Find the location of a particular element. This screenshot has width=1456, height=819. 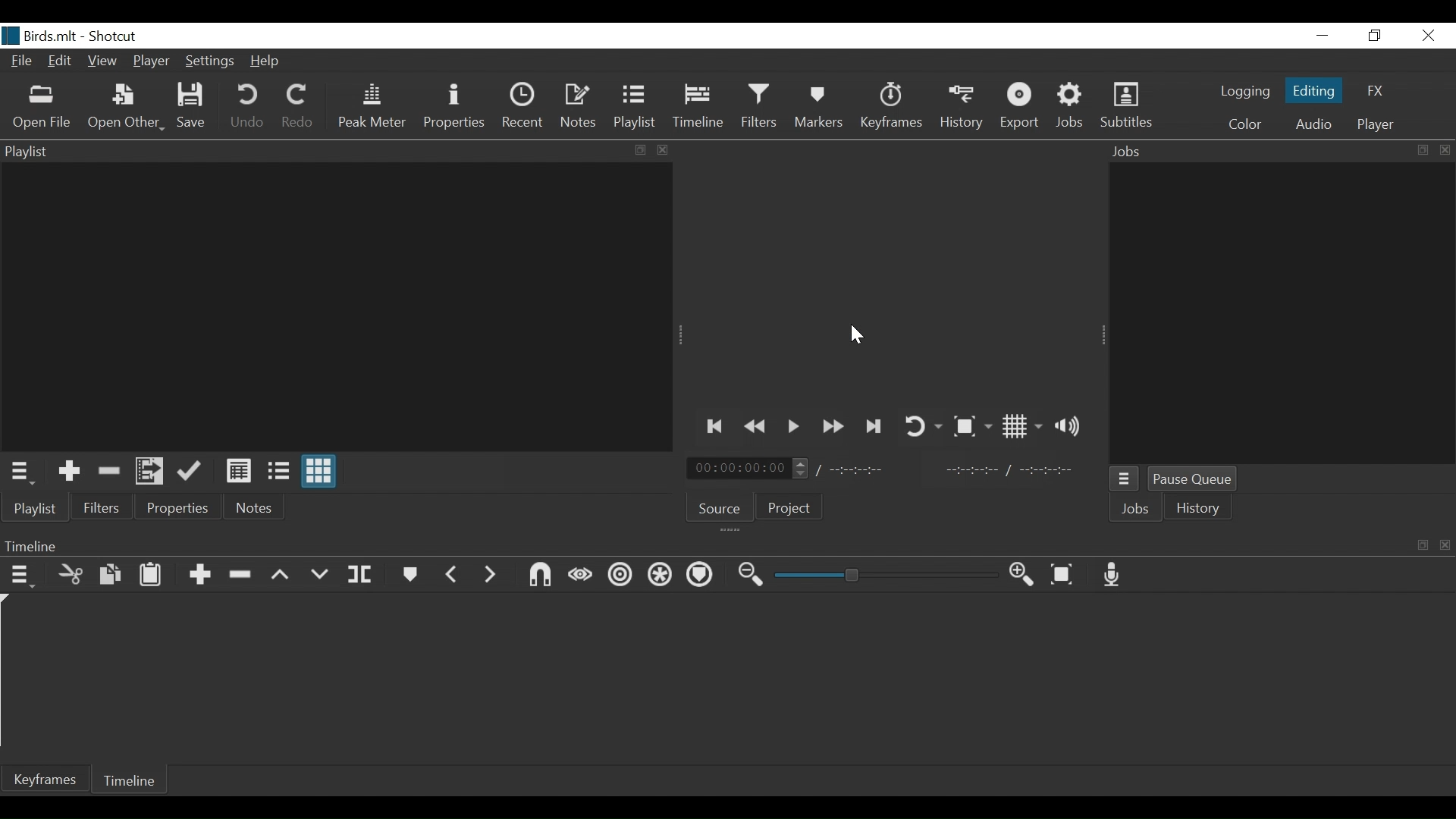

Jobs Panel is located at coordinates (1280, 151).